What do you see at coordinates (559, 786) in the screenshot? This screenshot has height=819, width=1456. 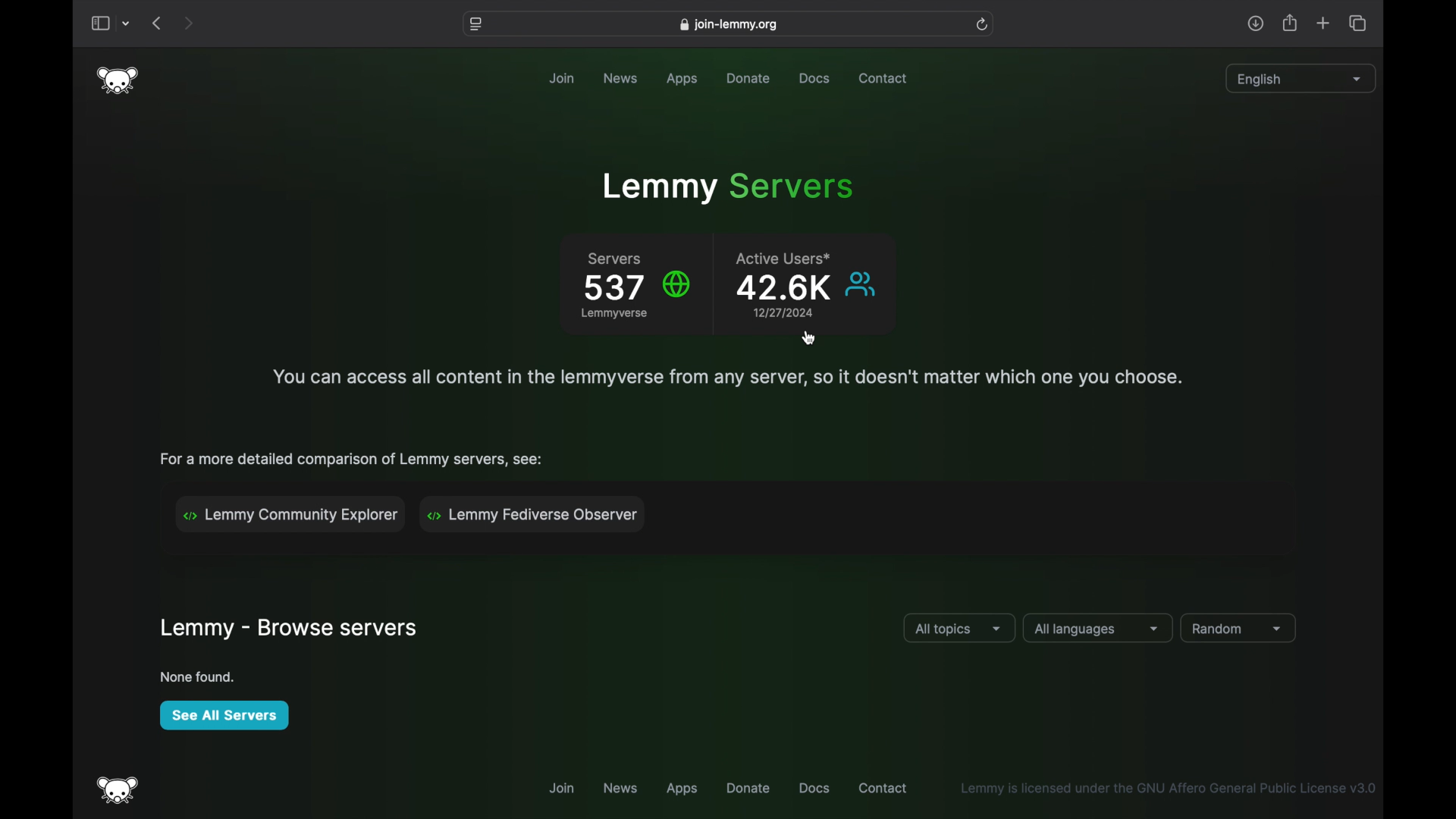 I see `join` at bounding box center [559, 786].